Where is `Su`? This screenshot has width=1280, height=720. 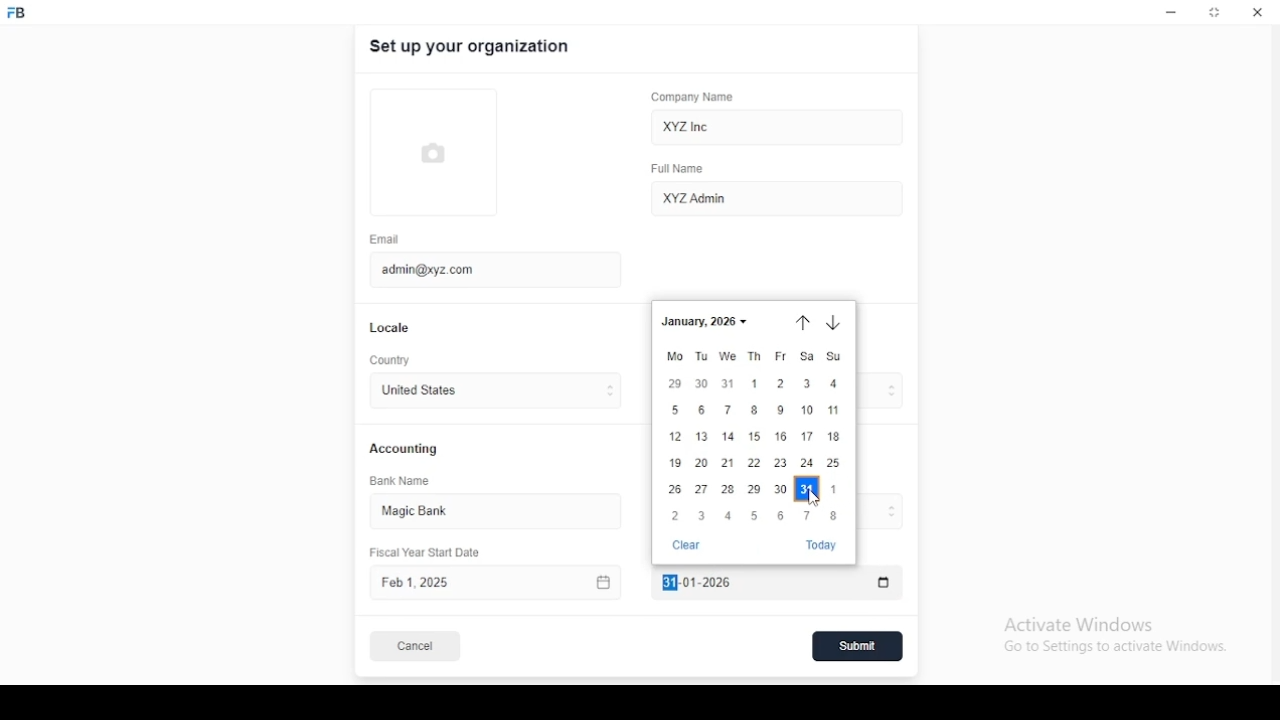
Su is located at coordinates (835, 356).